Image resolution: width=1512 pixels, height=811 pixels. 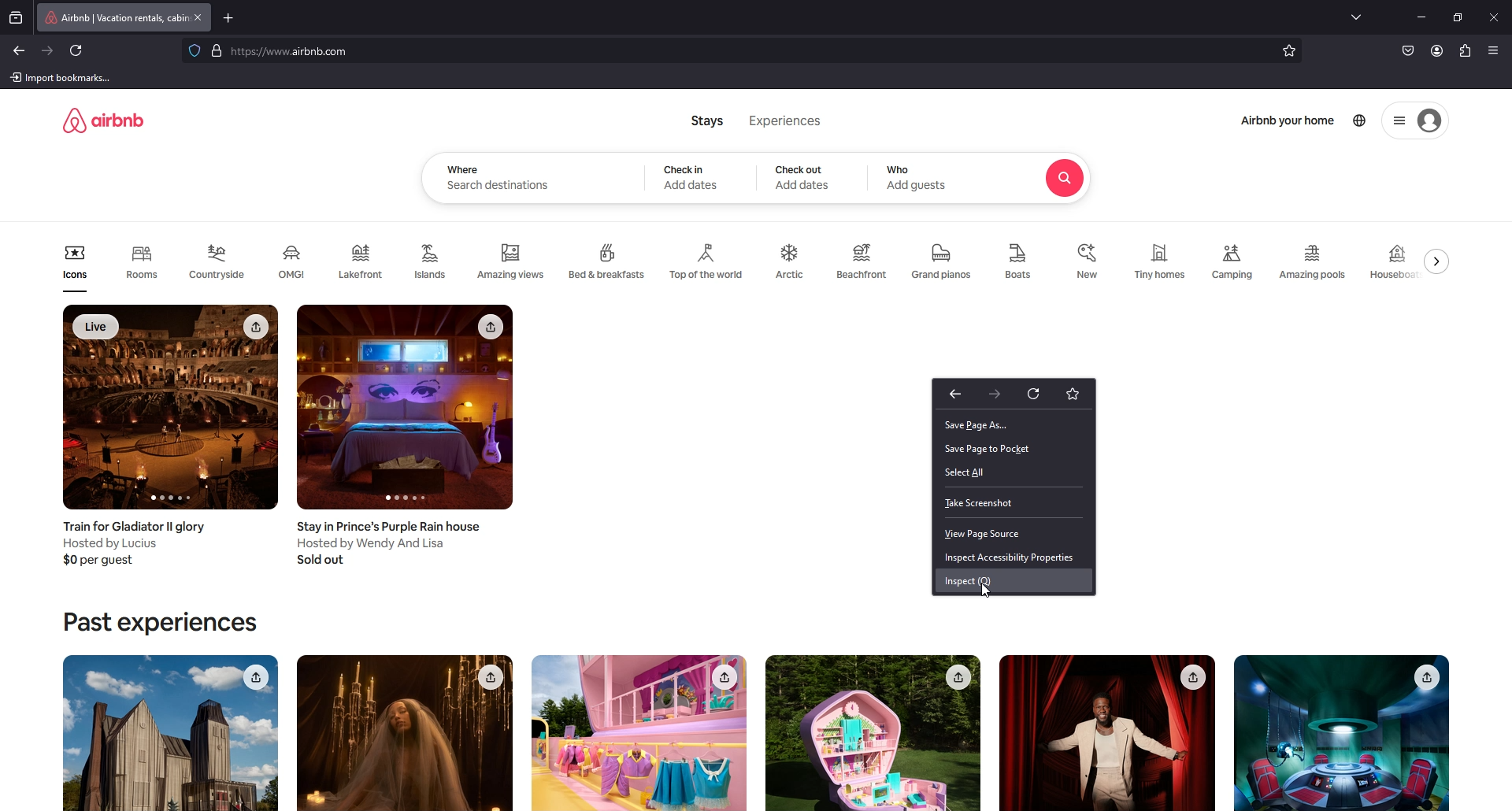 What do you see at coordinates (901, 170) in the screenshot?
I see `who` at bounding box center [901, 170].